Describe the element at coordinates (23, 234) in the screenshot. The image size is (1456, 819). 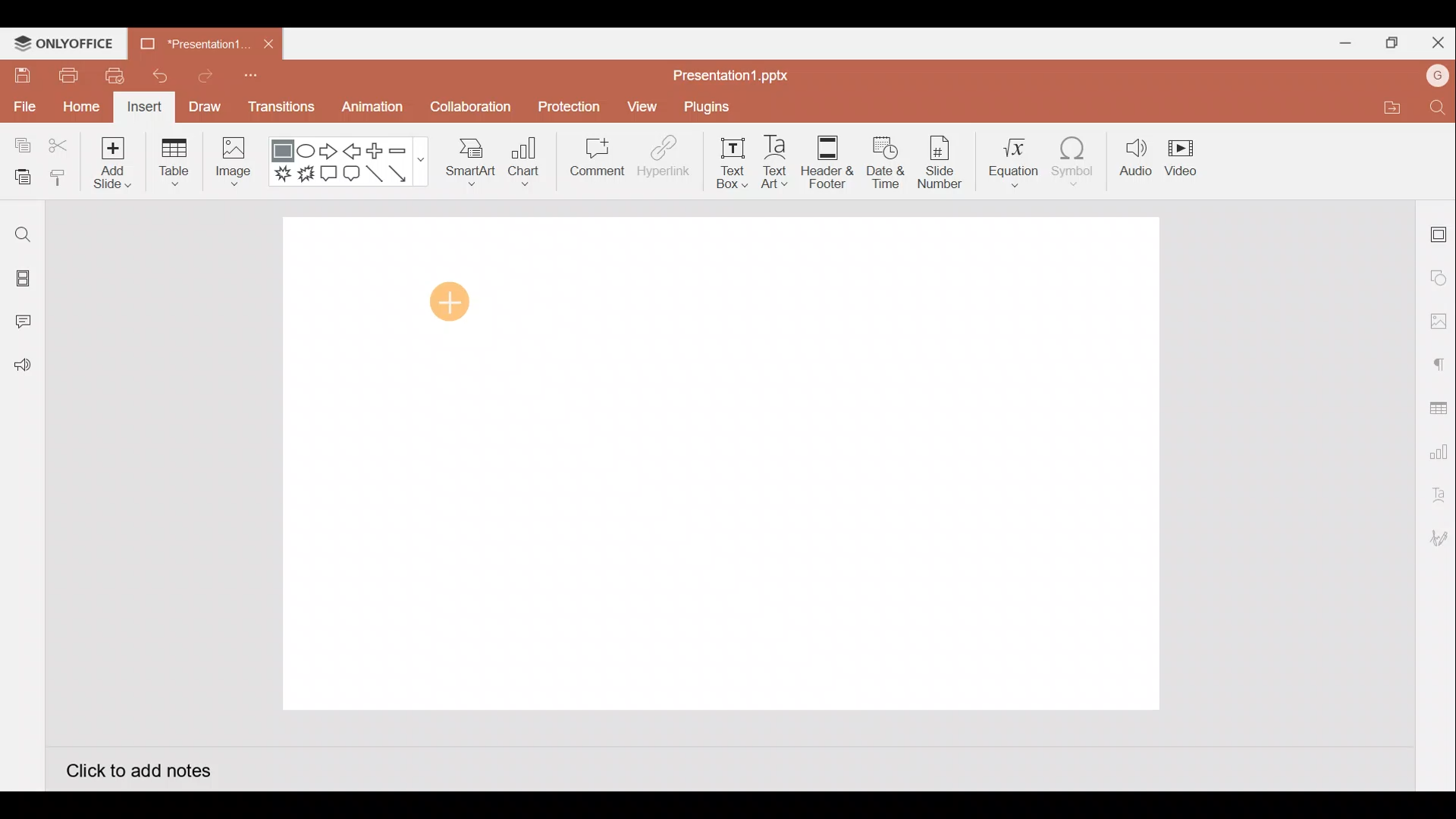
I see `Find` at that location.